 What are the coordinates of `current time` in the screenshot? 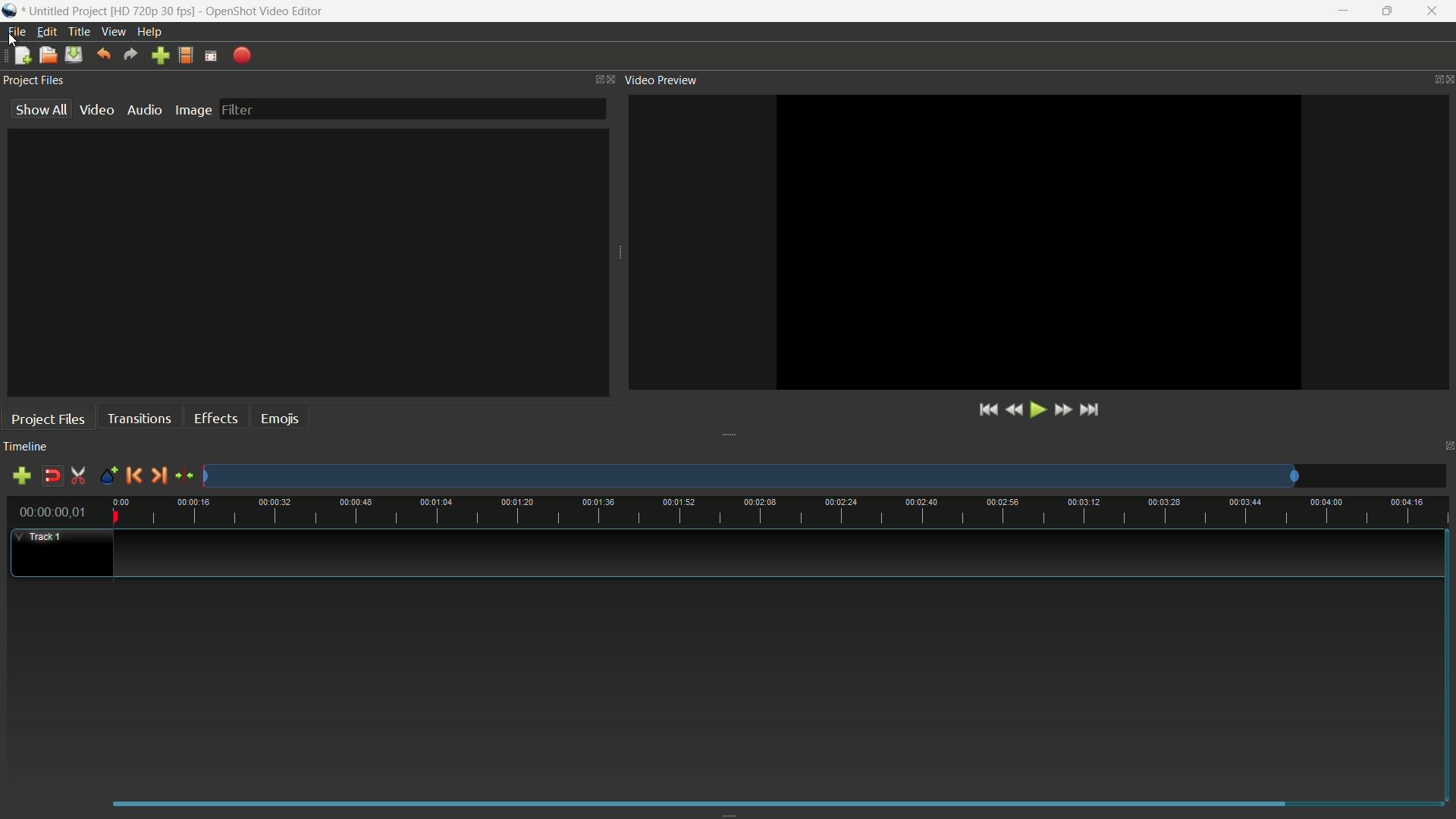 It's located at (52, 512).